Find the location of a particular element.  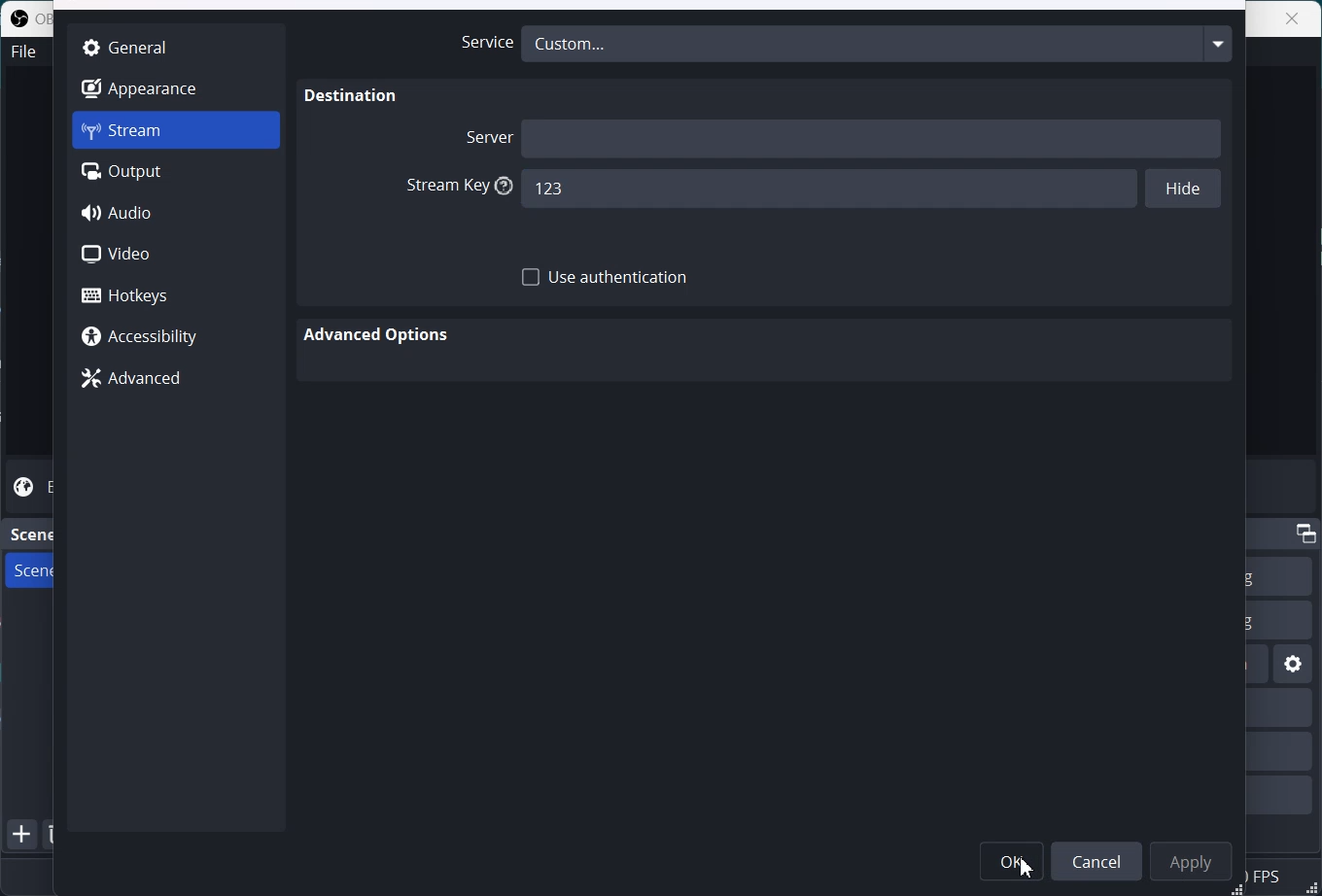

close is located at coordinates (1287, 18).